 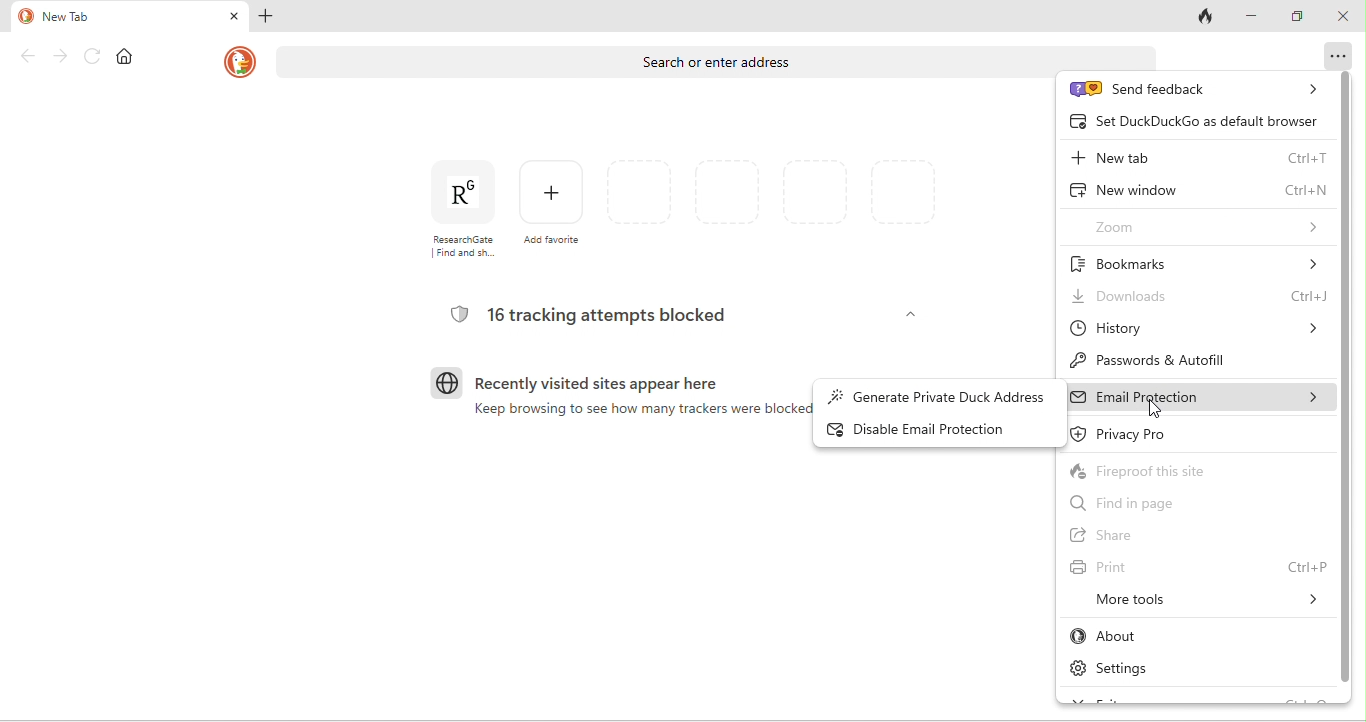 What do you see at coordinates (1198, 567) in the screenshot?
I see `print` at bounding box center [1198, 567].